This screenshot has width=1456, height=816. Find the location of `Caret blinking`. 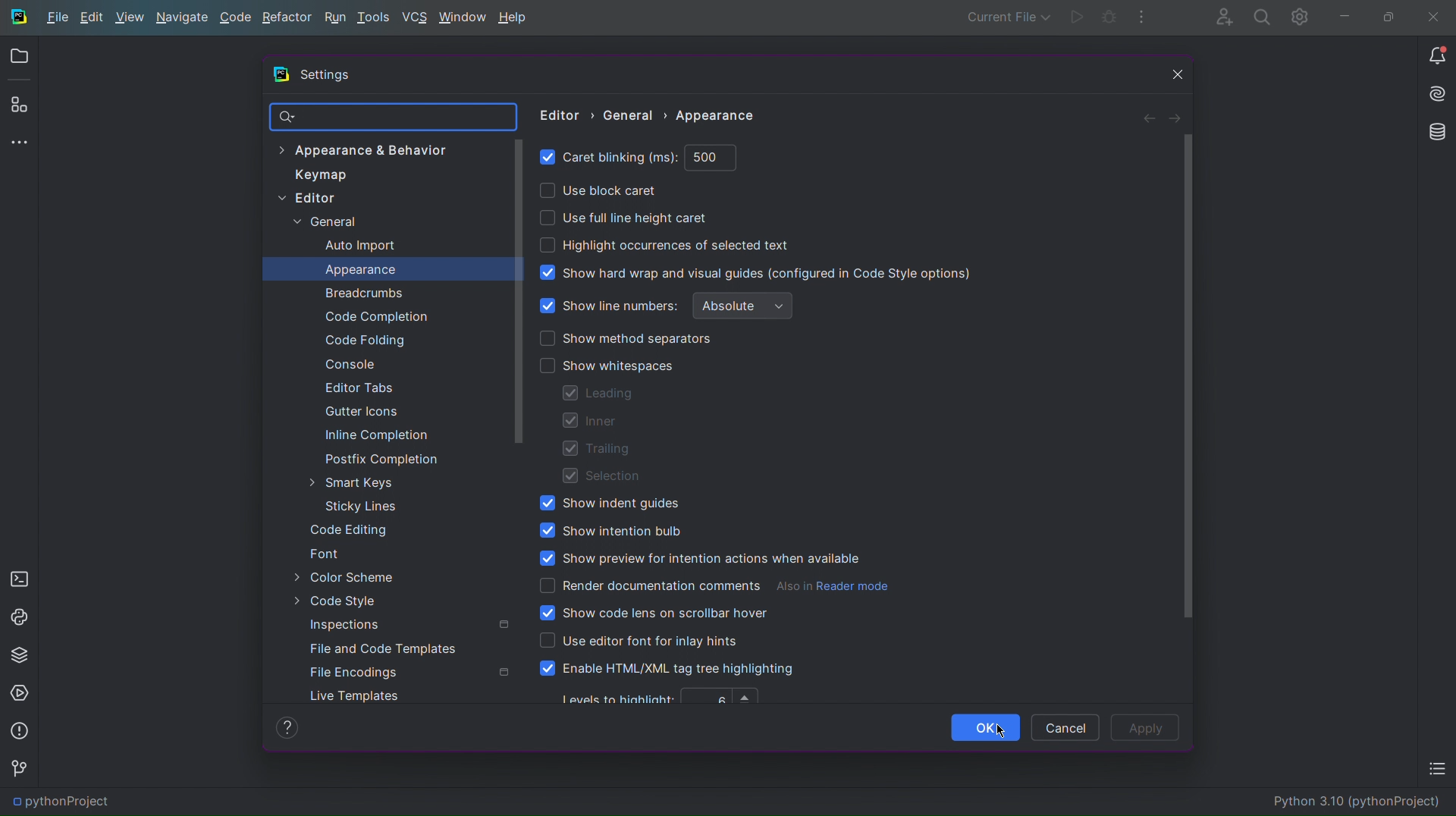

Caret blinking is located at coordinates (639, 158).